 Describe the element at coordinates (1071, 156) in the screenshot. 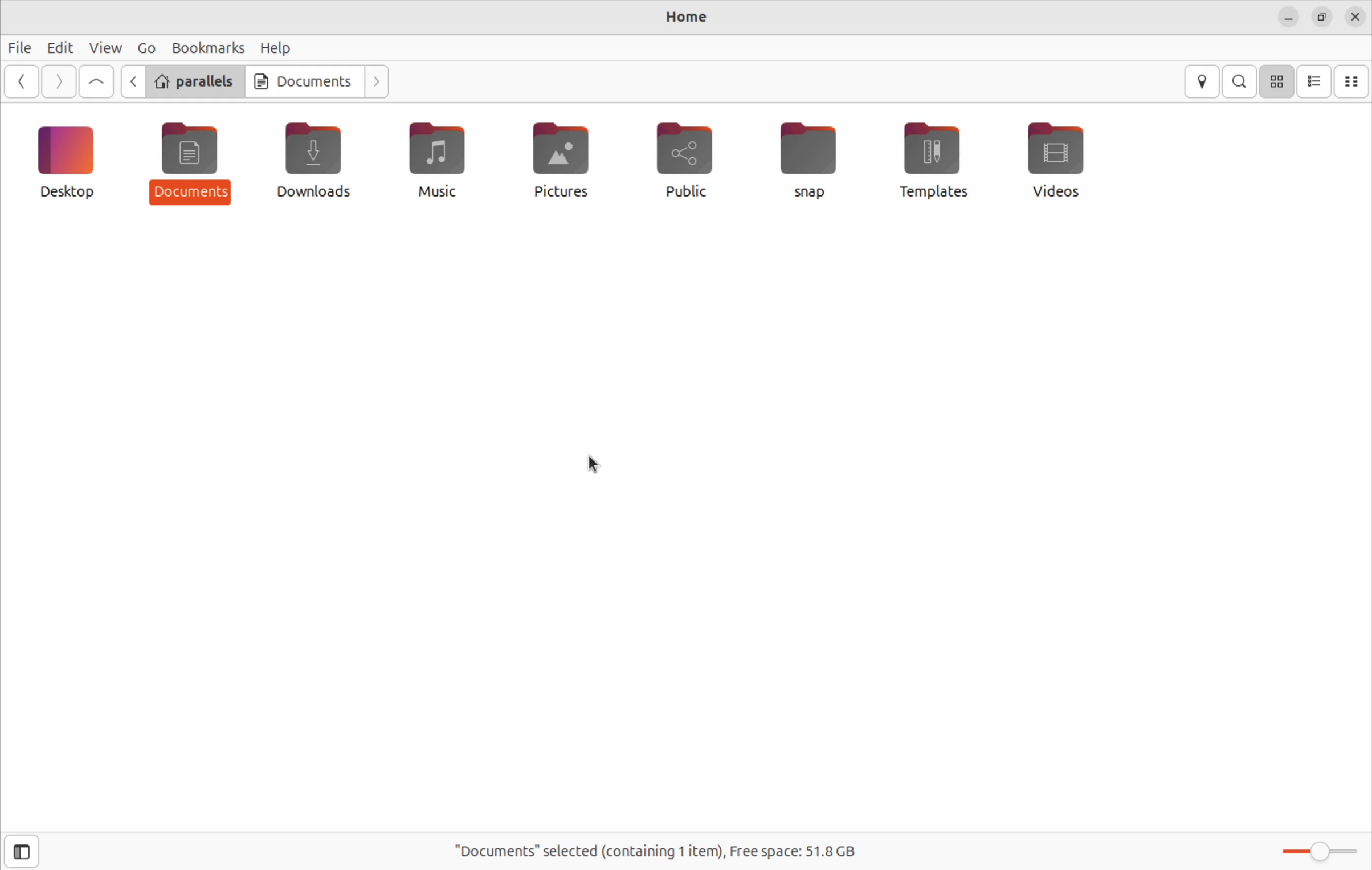

I see `videos` at that location.